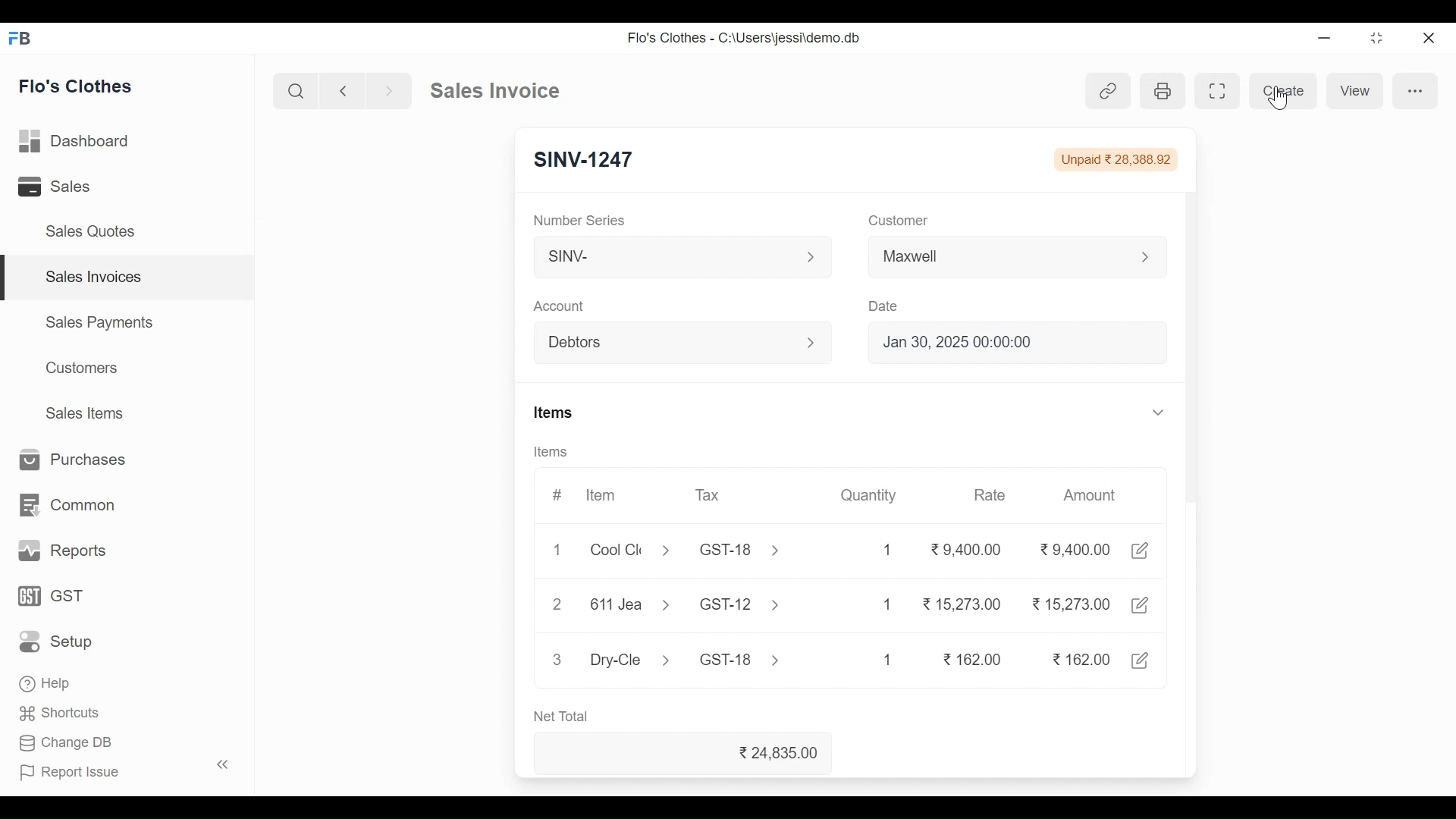  Describe the element at coordinates (25, 39) in the screenshot. I see `Frappe Book Desktop Icon` at that location.